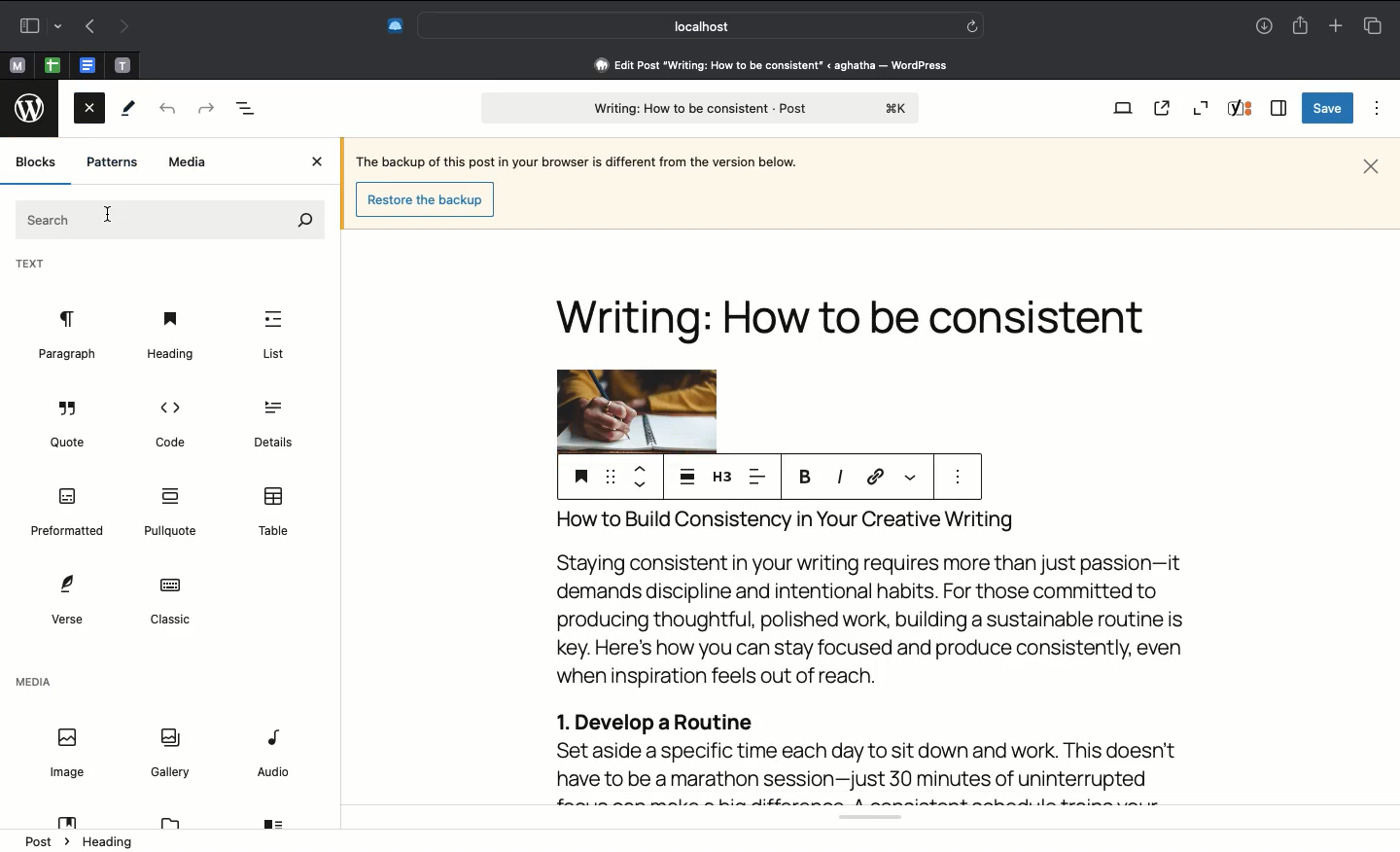 Image resolution: width=1400 pixels, height=852 pixels. I want to click on Next page, so click(122, 28).